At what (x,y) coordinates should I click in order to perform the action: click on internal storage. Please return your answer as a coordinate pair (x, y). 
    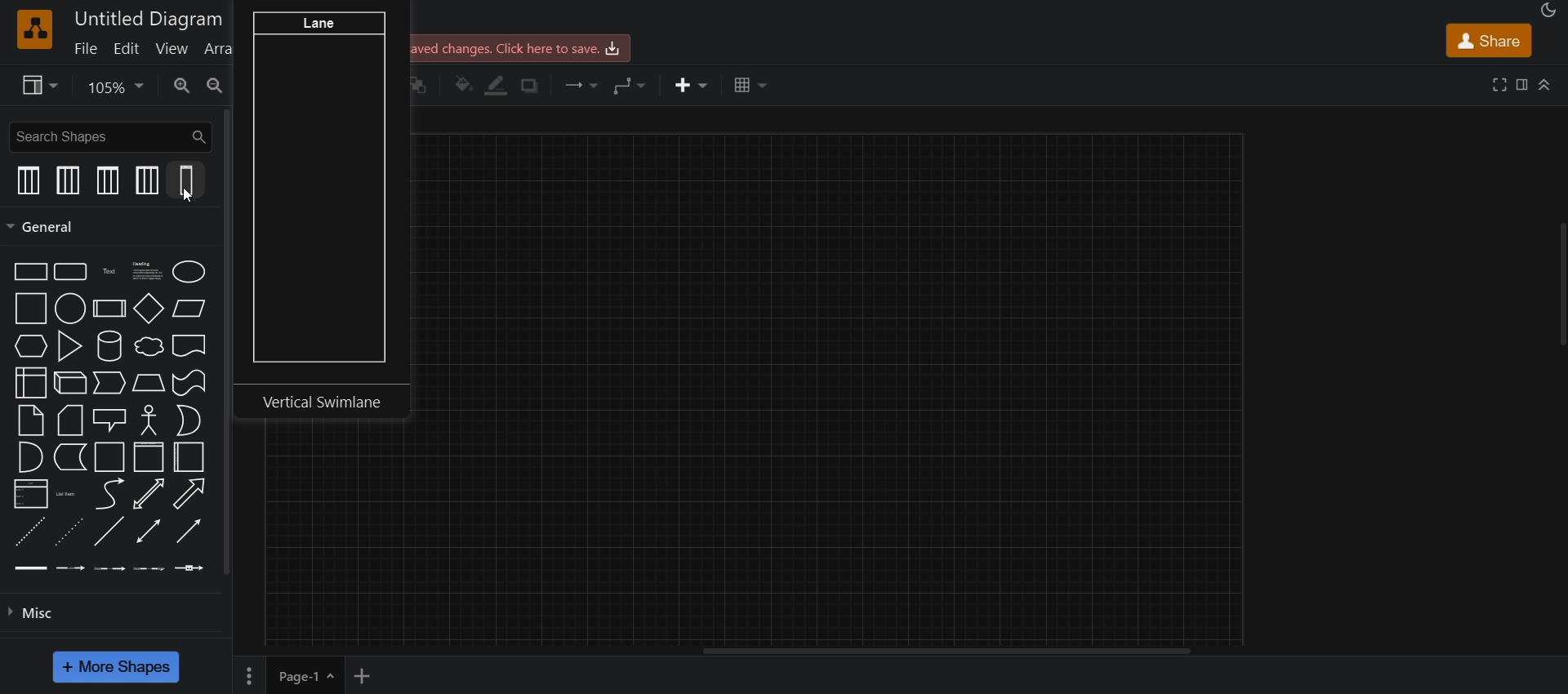
    Looking at the image, I should click on (30, 383).